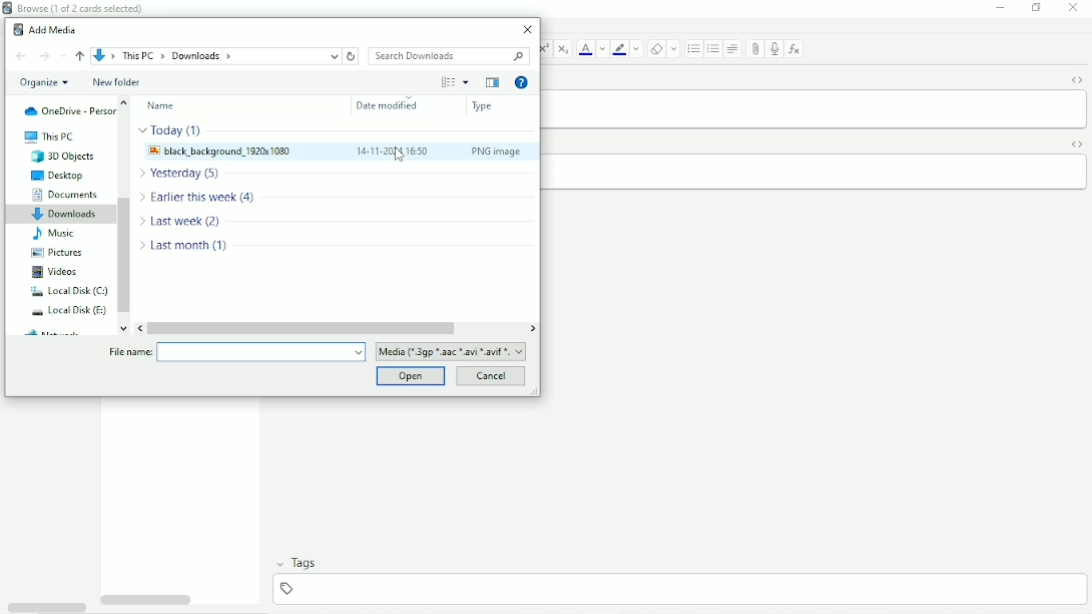  What do you see at coordinates (494, 83) in the screenshot?
I see `Show the previous pane` at bounding box center [494, 83].